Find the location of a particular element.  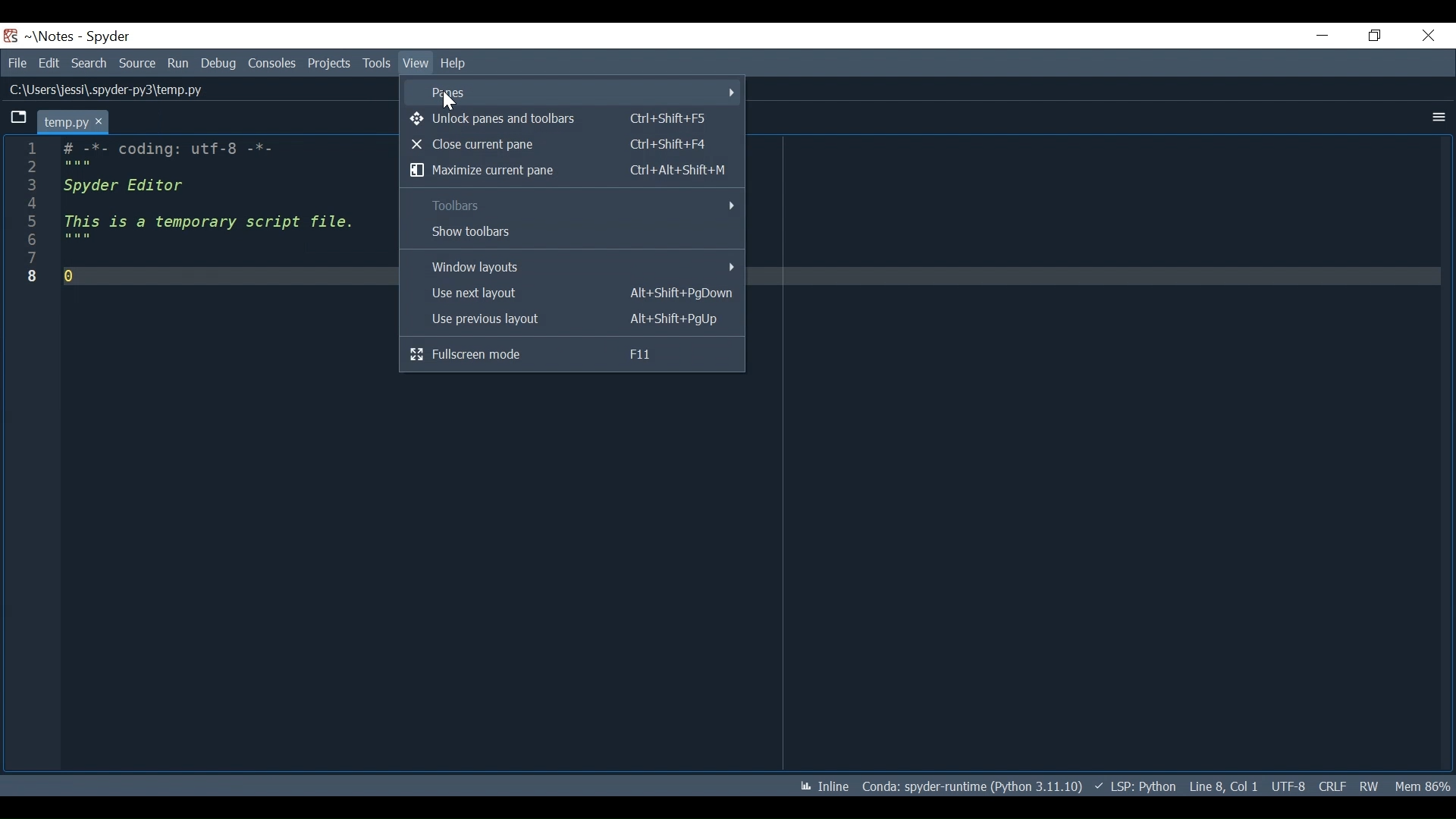

Coda: spyder-runtime (Python 3.11.10) is located at coordinates (974, 789).